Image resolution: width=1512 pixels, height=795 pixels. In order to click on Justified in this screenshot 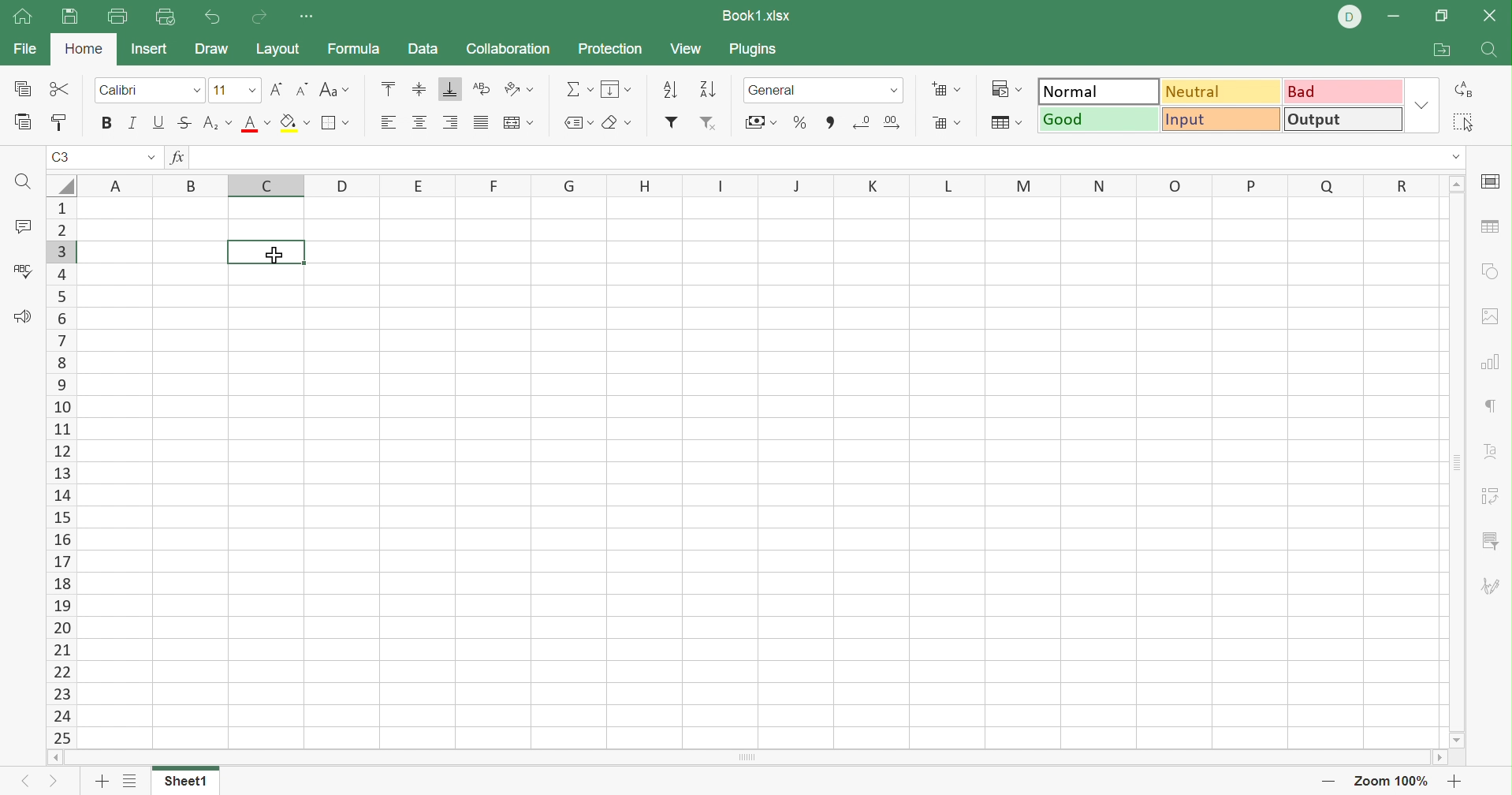, I will do `click(479, 122)`.